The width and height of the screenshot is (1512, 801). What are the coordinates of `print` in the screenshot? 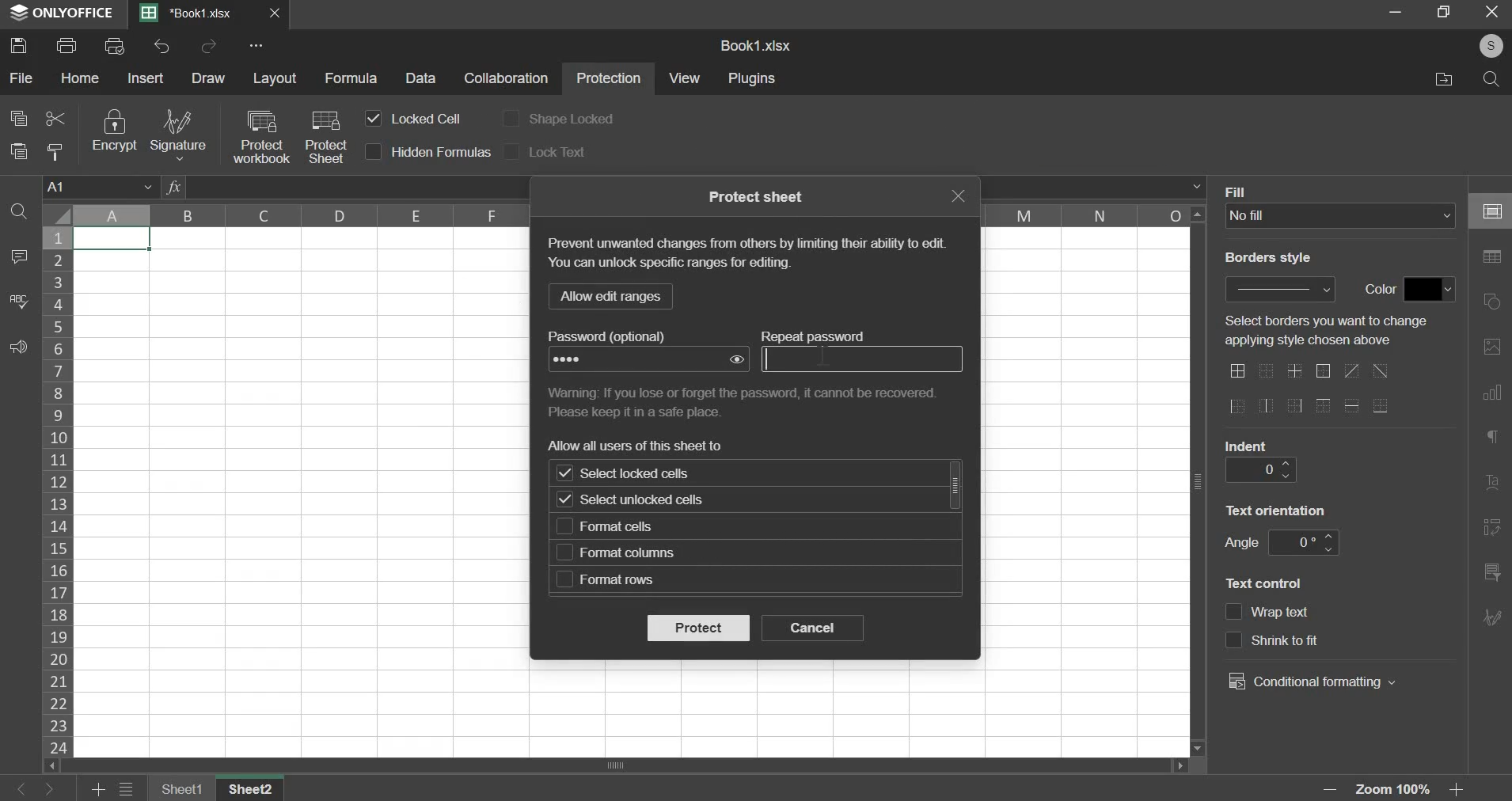 It's located at (67, 44).